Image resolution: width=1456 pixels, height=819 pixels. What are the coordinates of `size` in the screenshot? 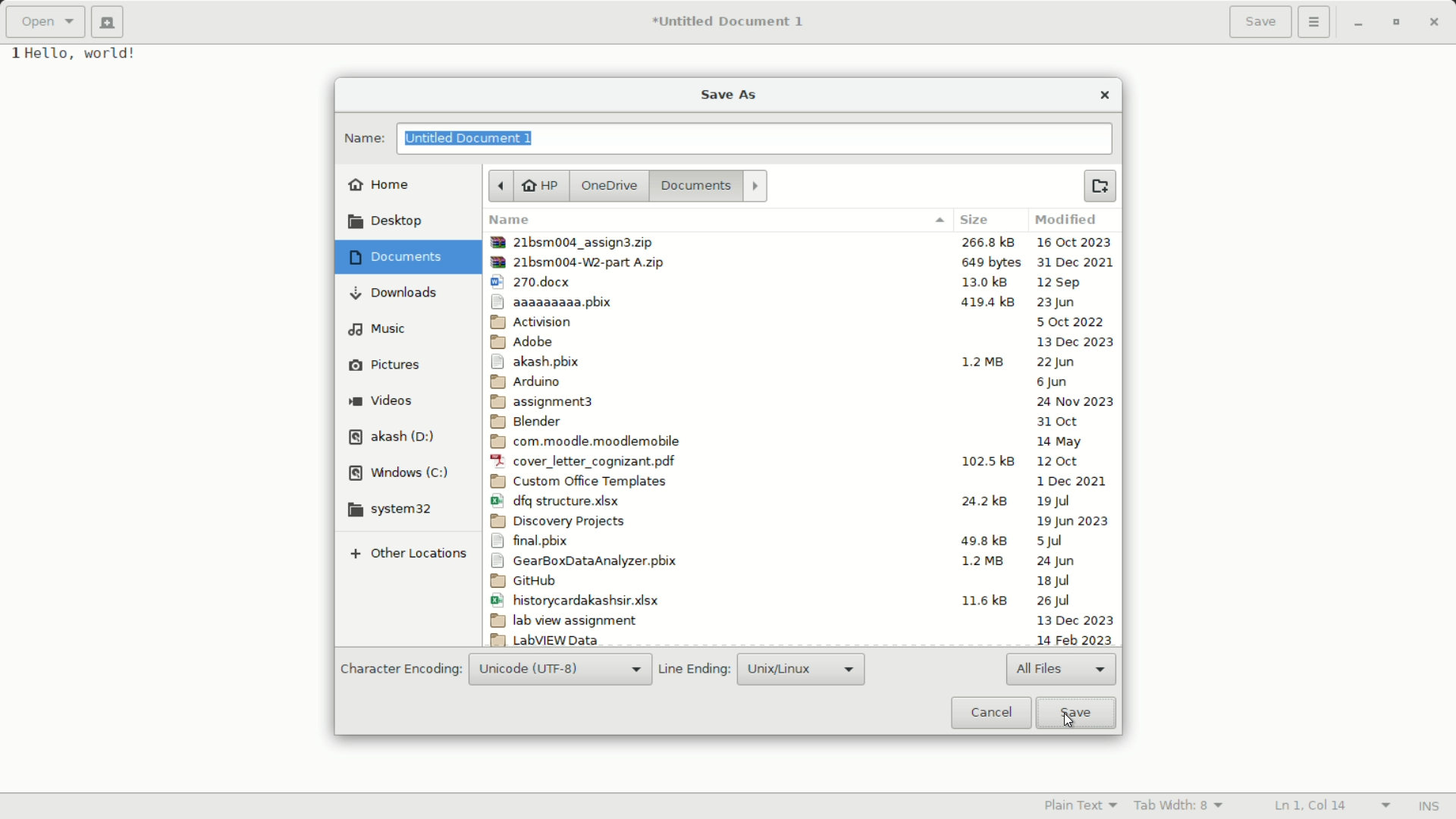 It's located at (981, 221).